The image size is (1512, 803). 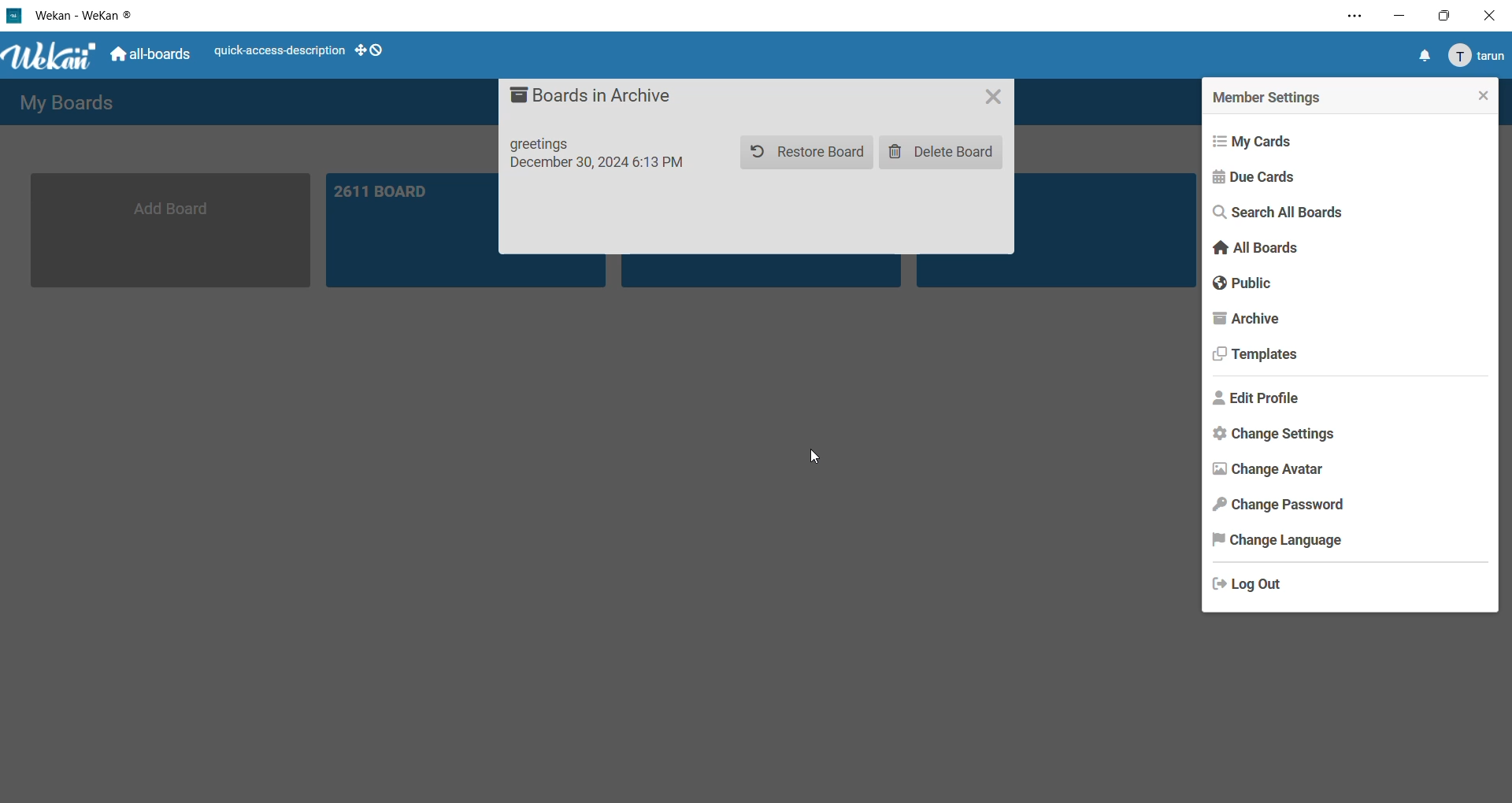 I want to click on all boards, so click(x=1253, y=246).